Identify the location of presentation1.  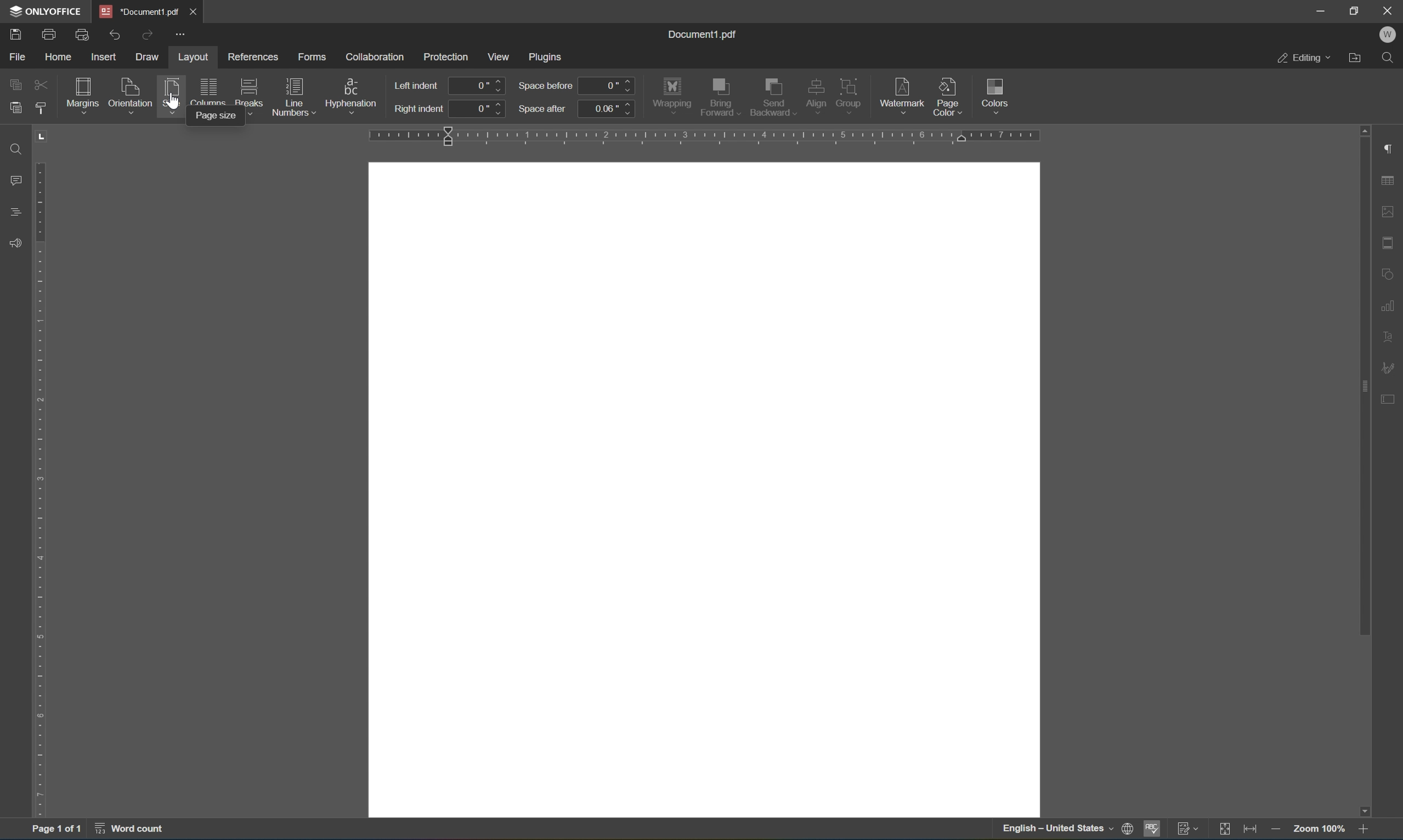
(139, 11).